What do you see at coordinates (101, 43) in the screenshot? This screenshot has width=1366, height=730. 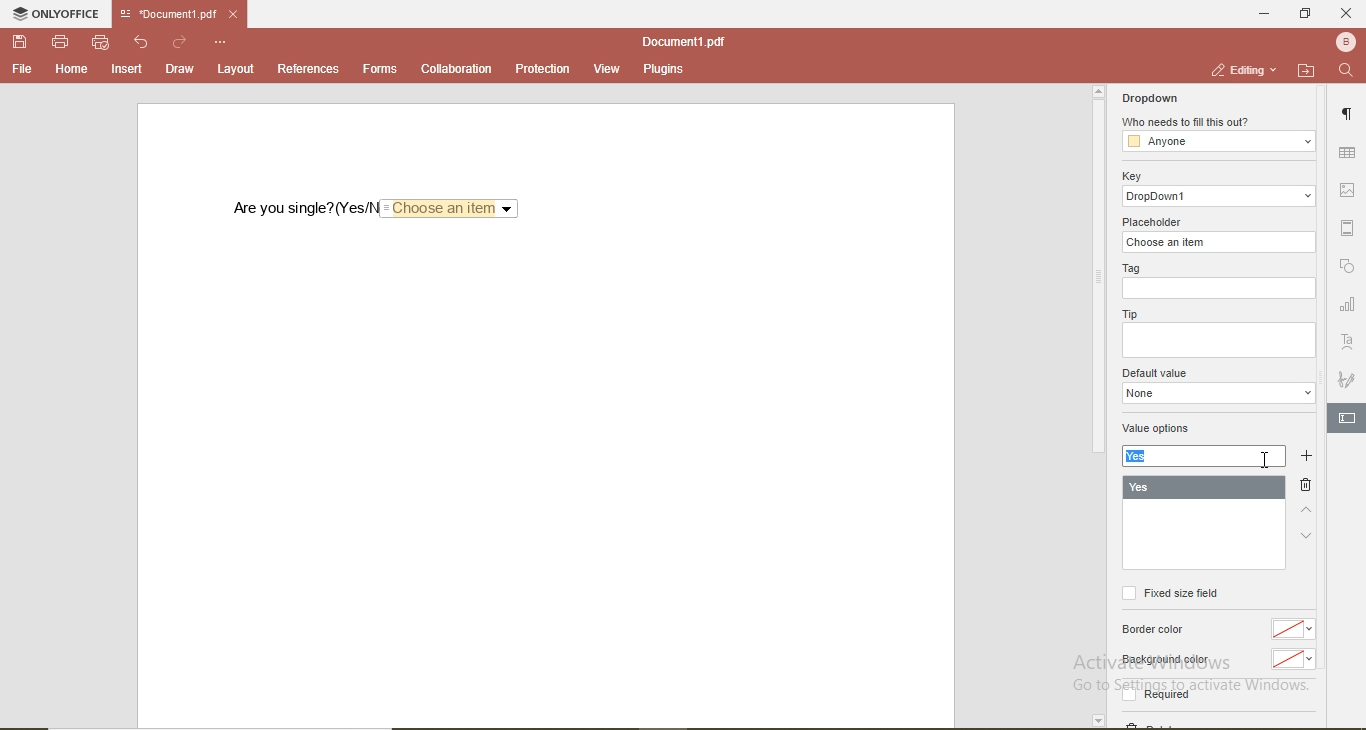 I see `quick print` at bounding box center [101, 43].